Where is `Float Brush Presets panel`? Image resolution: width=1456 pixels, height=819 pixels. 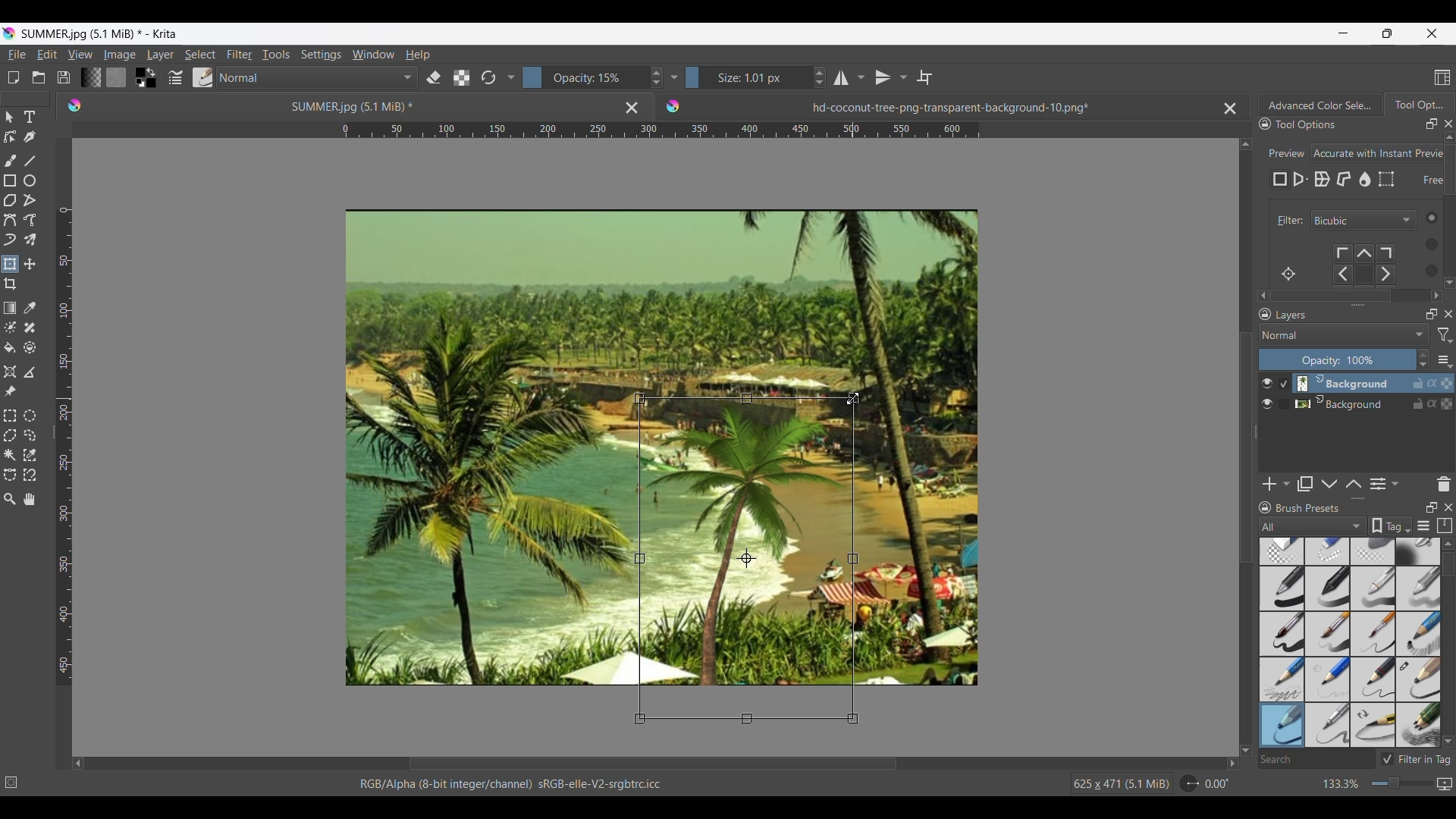
Float Brush Presets panel is located at coordinates (1432, 507).